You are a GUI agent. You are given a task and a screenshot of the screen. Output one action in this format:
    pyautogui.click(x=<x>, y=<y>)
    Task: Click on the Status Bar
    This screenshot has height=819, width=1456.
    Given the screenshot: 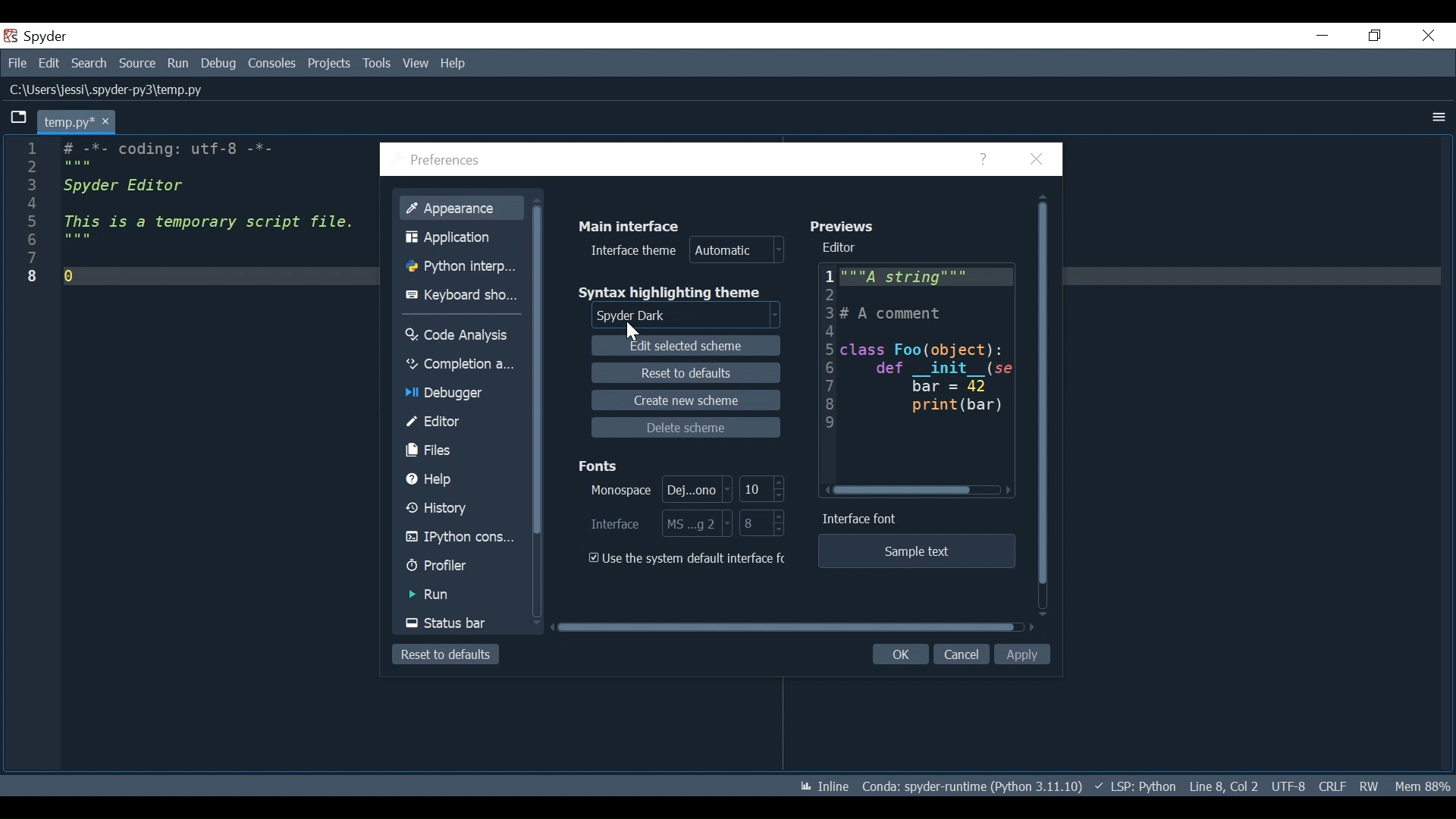 What is the action you would take?
    pyautogui.click(x=461, y=623)
    